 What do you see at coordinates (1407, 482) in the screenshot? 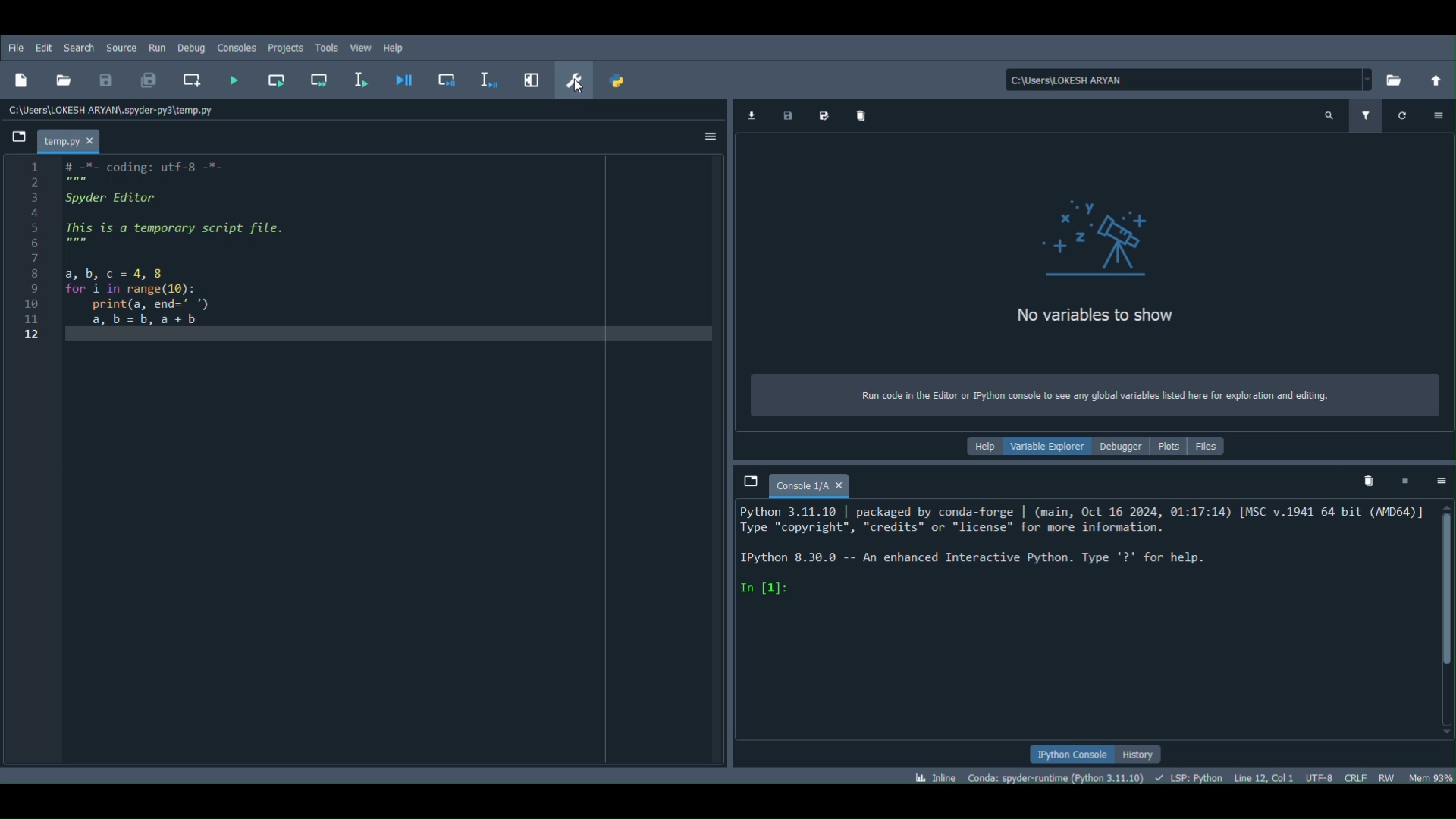
I see `Interrupt kernel` at bounding box center [1407, 482].